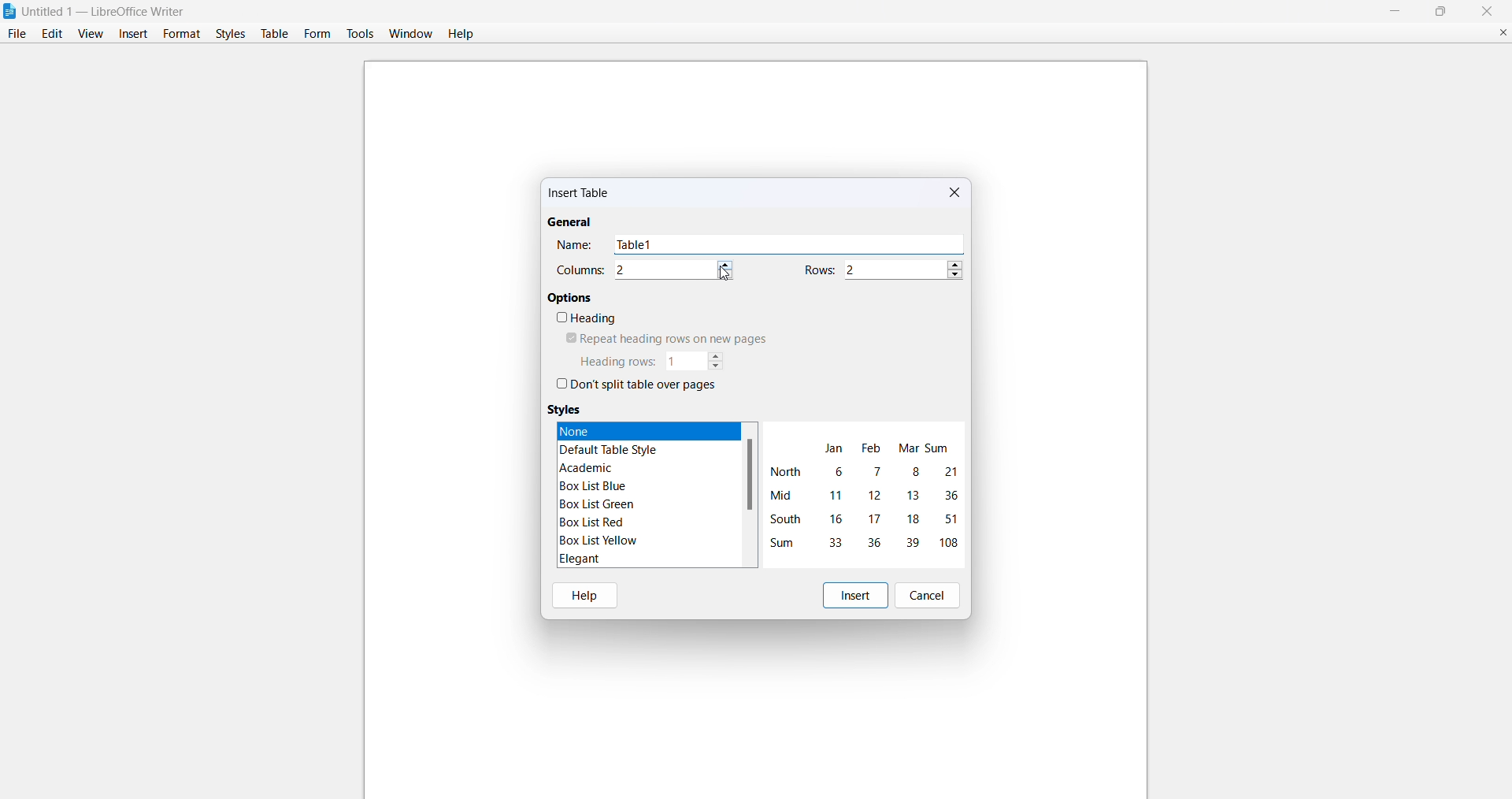 This screenshot has width=1512, height=799. What do you see at coordinates (1443, 11) in the screenshot?
I see `maximize` at bounding box center [1443, 11].